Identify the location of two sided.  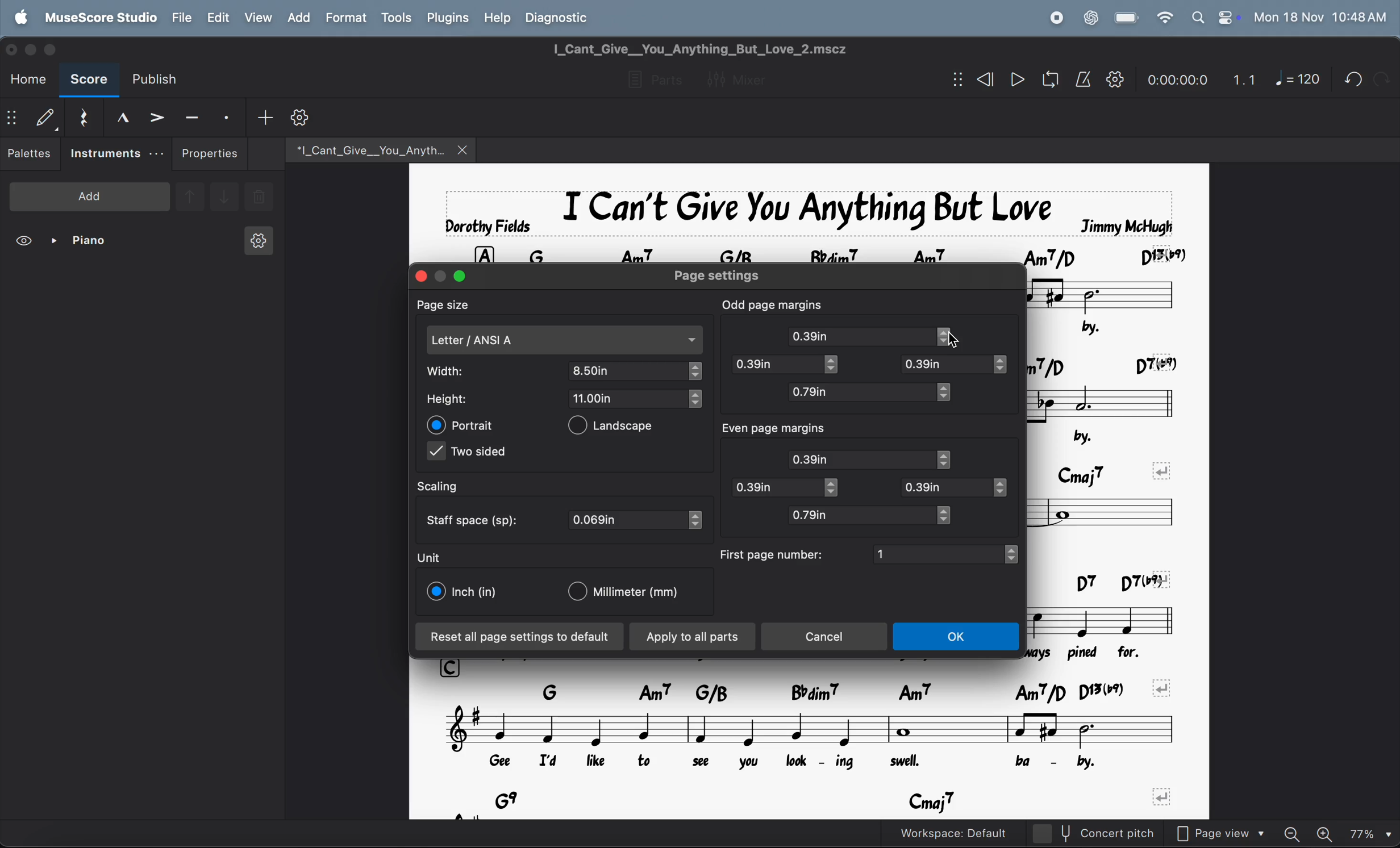
(470, 454).